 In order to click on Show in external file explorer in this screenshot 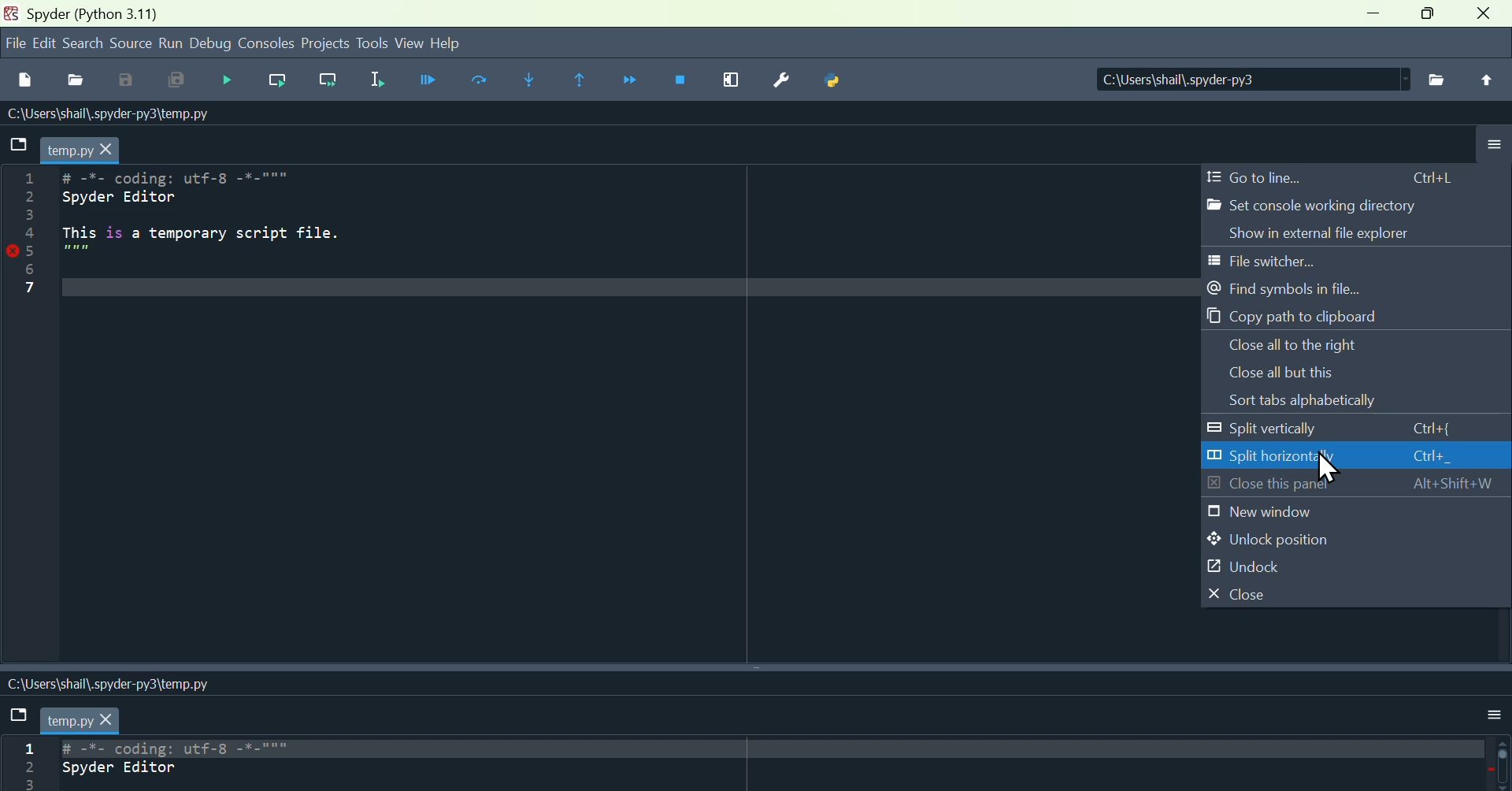, I will do `click(1312, 234)`.